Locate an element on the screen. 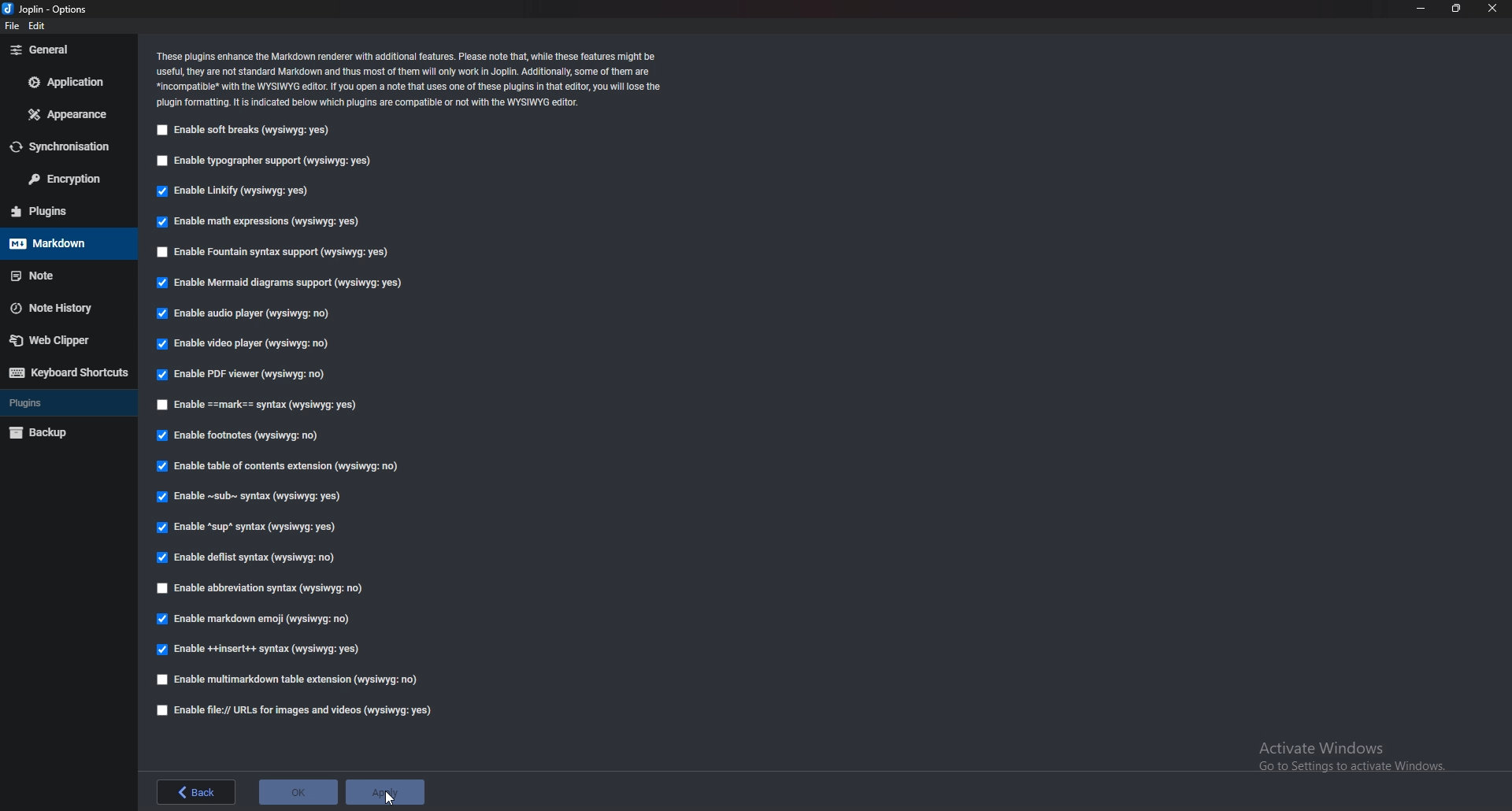  enable sup syntax is located at coordinates (246, 529).